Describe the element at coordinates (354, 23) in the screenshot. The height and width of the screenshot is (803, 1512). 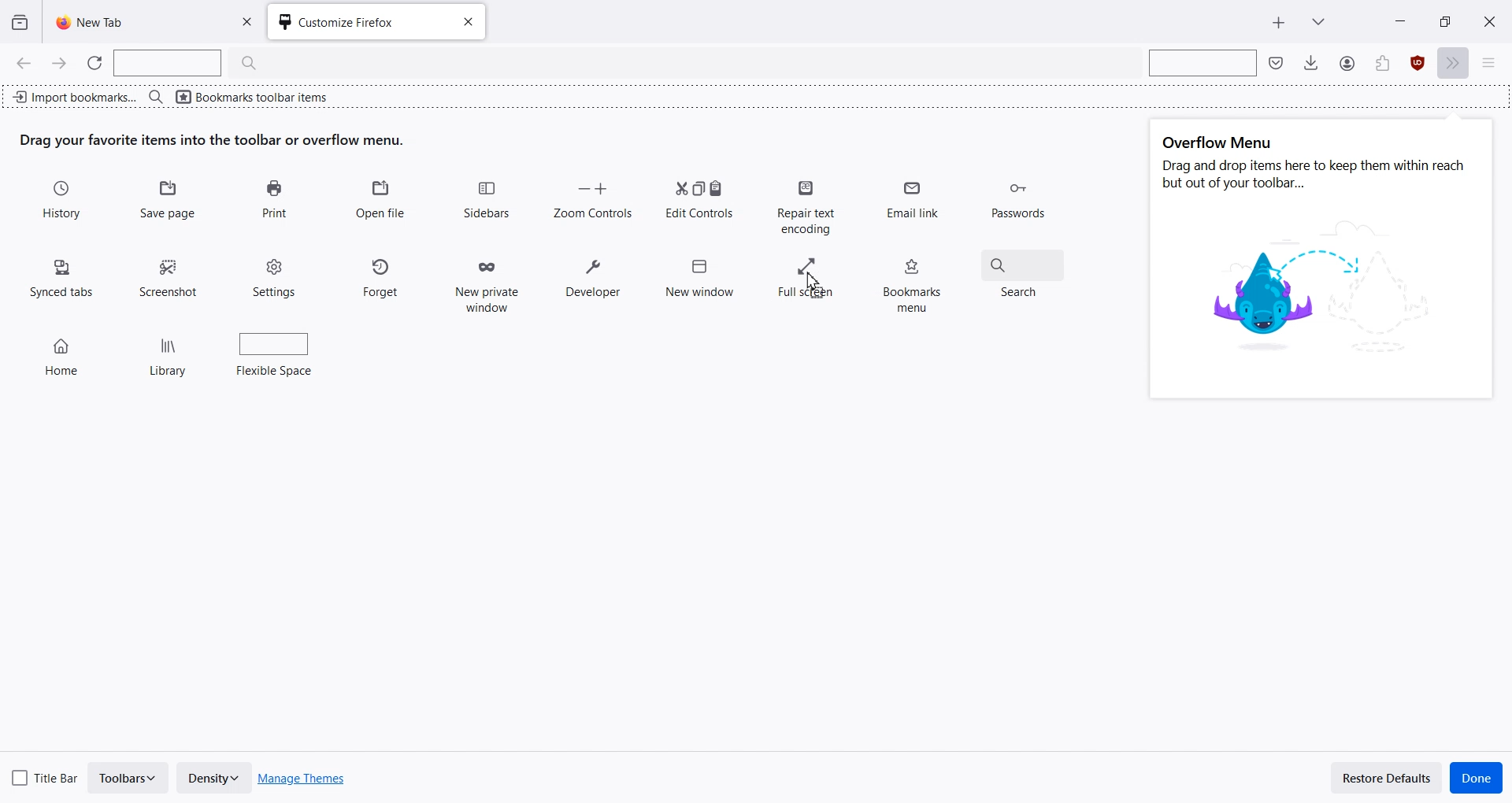
I see `Customize Firefox` at that location.